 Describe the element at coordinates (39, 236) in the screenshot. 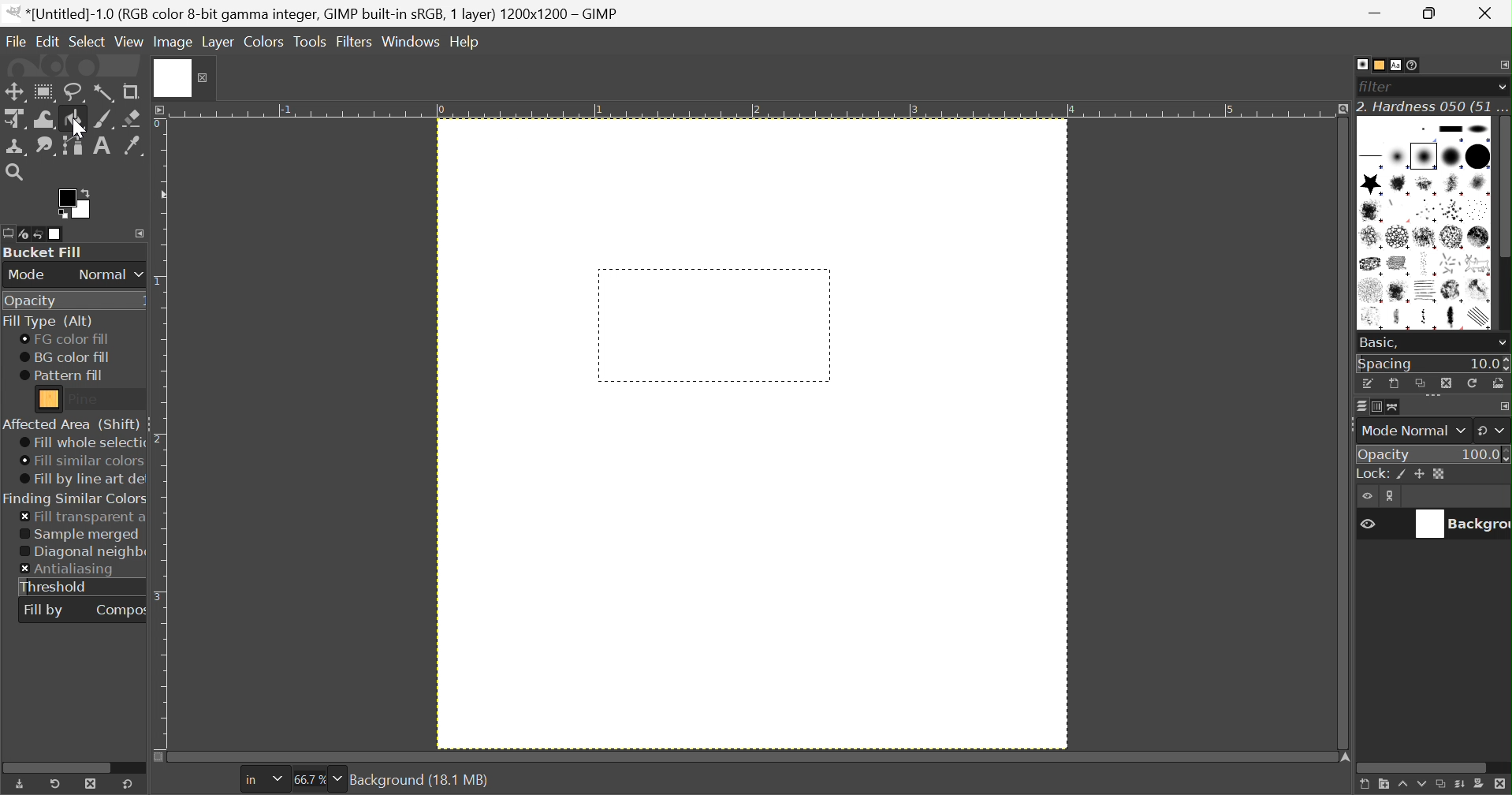

I see `Undo History` at that location.